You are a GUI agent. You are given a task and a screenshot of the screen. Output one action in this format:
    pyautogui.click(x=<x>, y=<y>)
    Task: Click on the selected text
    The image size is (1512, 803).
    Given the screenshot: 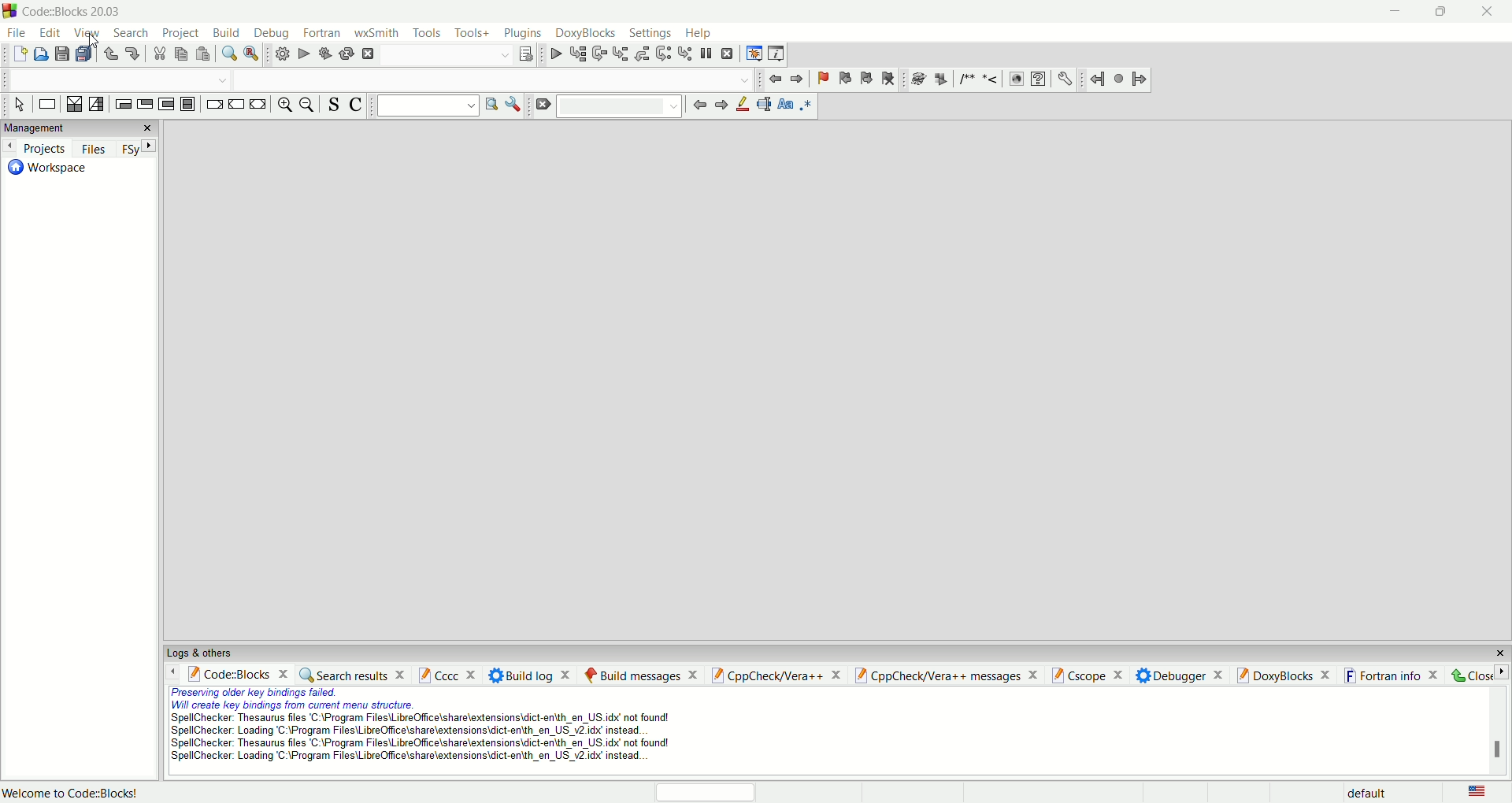 What is the action you would take?
    pyautogui.click(x=765, y=105)
    